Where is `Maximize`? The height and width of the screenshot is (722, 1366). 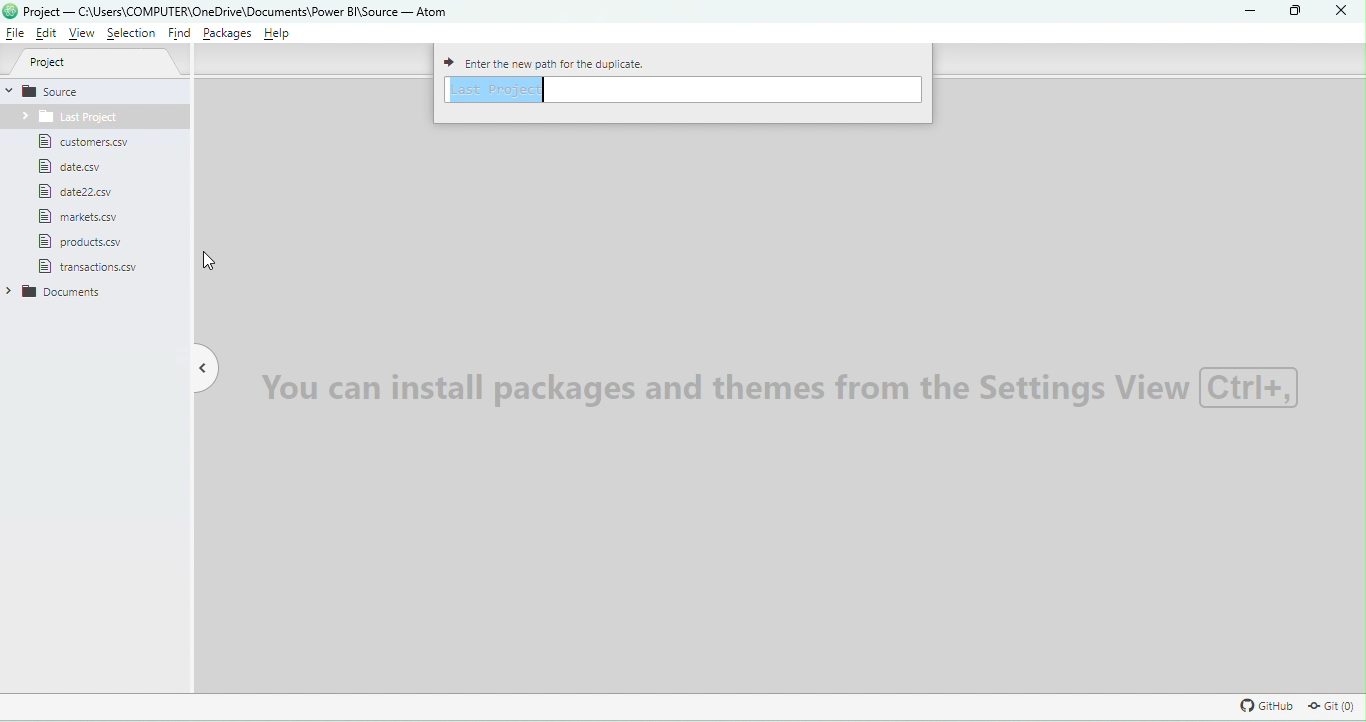 Maximize is located at coordinates (1291, 13).